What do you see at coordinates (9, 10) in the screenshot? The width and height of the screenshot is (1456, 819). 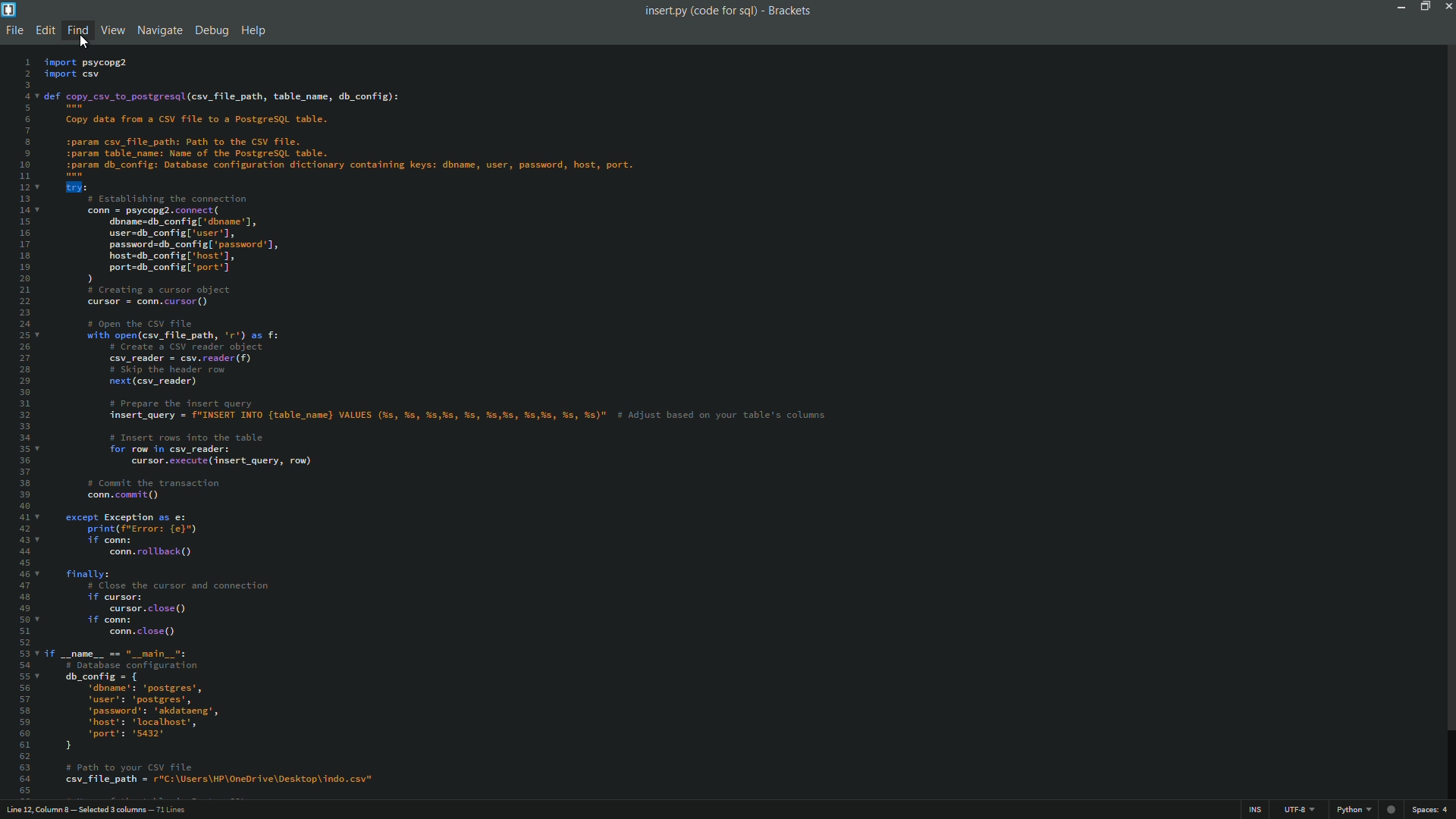 I see `app icon` at bounding box center [9, 10].